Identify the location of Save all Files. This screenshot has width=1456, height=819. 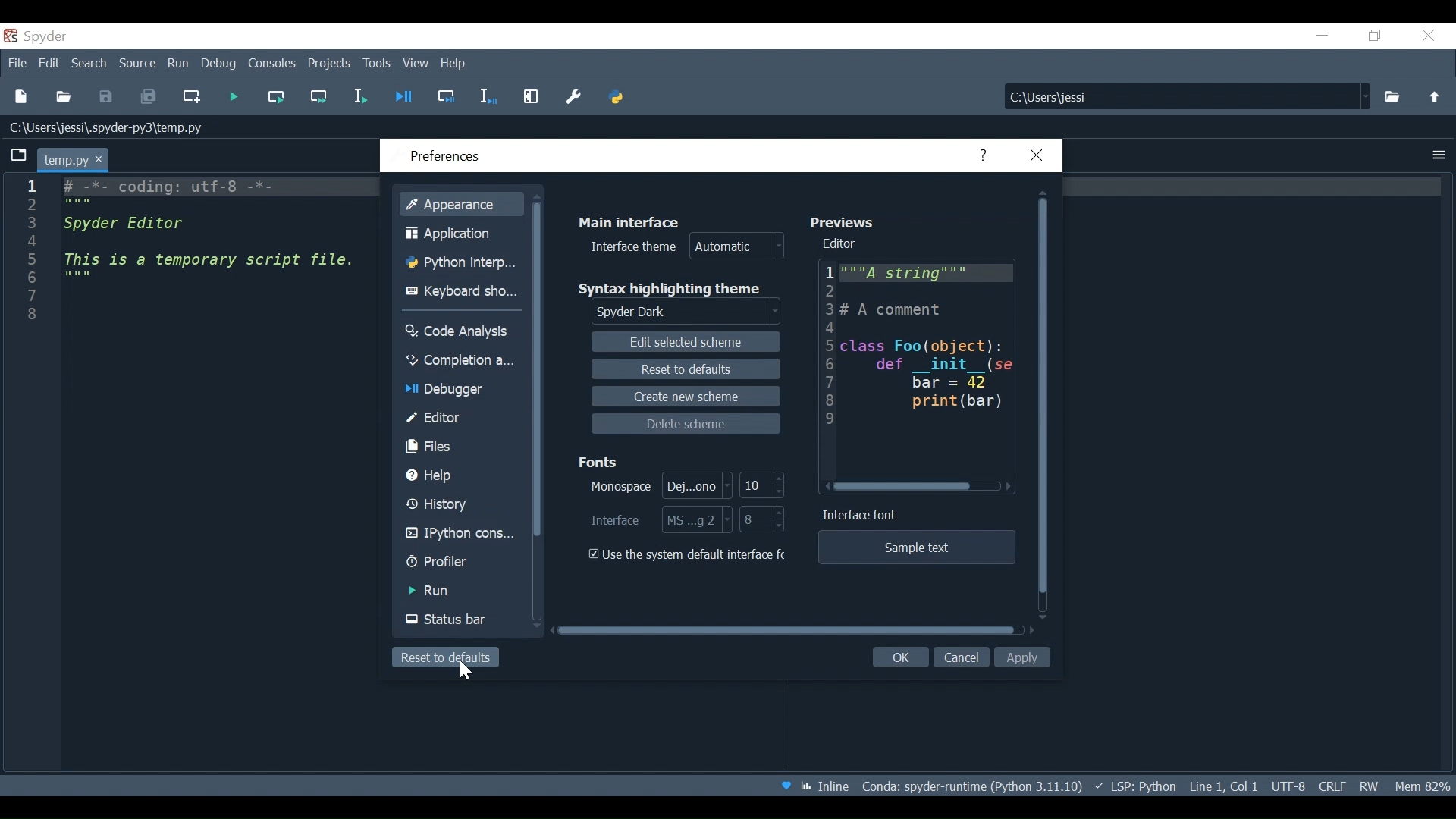
(149, 97).